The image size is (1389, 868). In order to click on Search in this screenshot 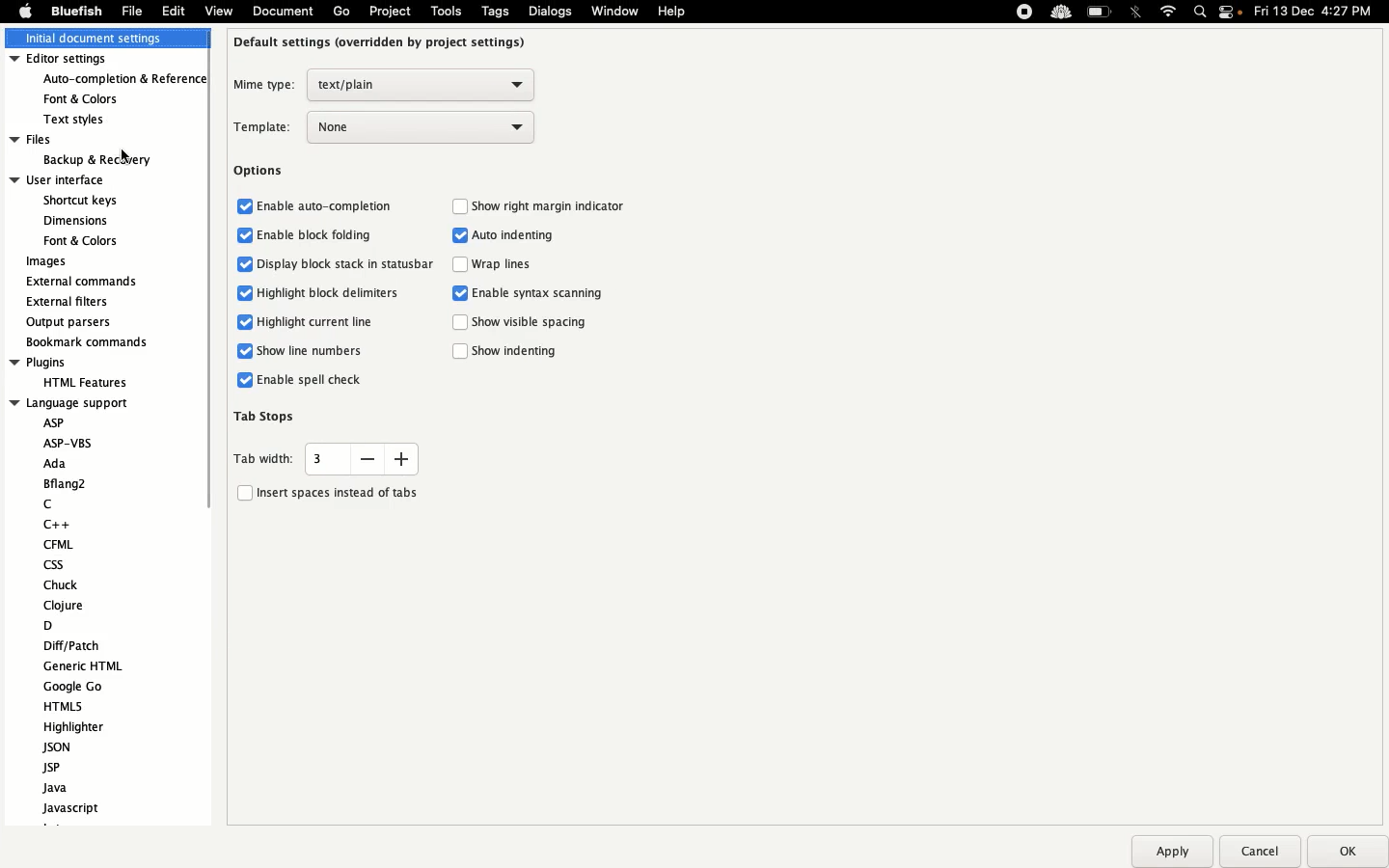, I will do `click(1199, 13)`.